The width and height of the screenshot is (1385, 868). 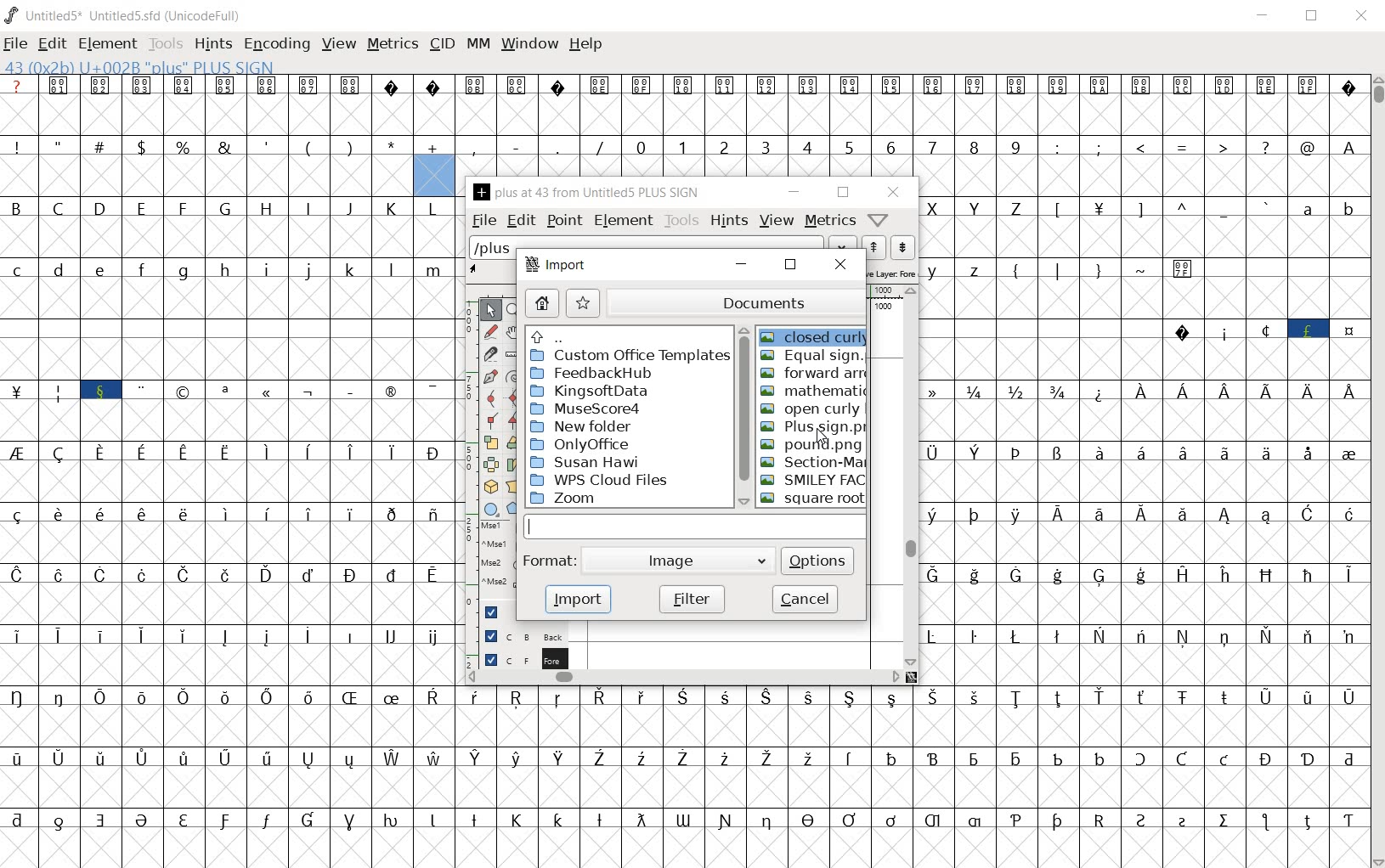 What do you see at coordinates (588, 409) in the screenshot?
I see `MuseScore` at bounding box center [588, 409].